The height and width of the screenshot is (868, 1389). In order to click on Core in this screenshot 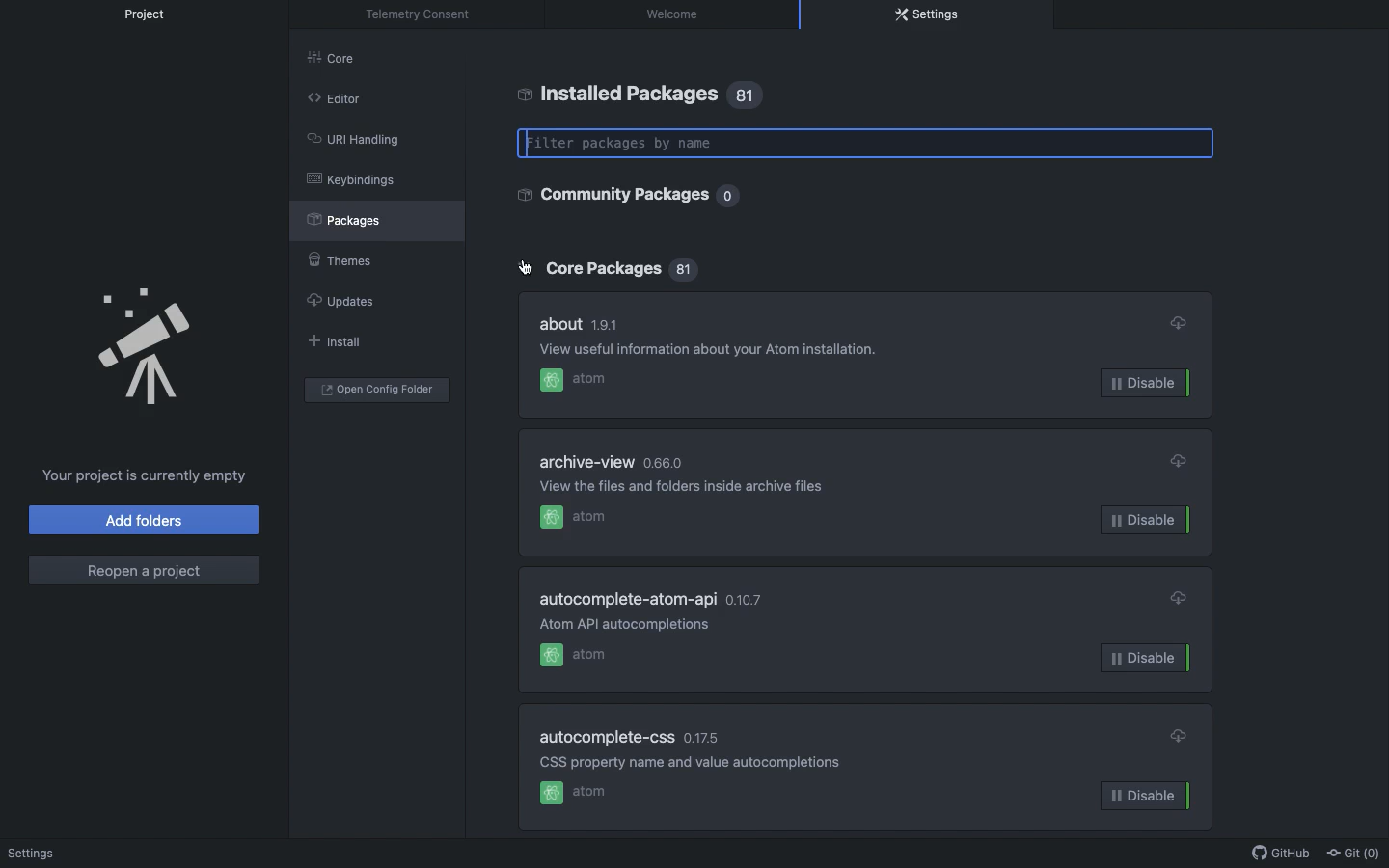, I will do `click(341, 62)`.